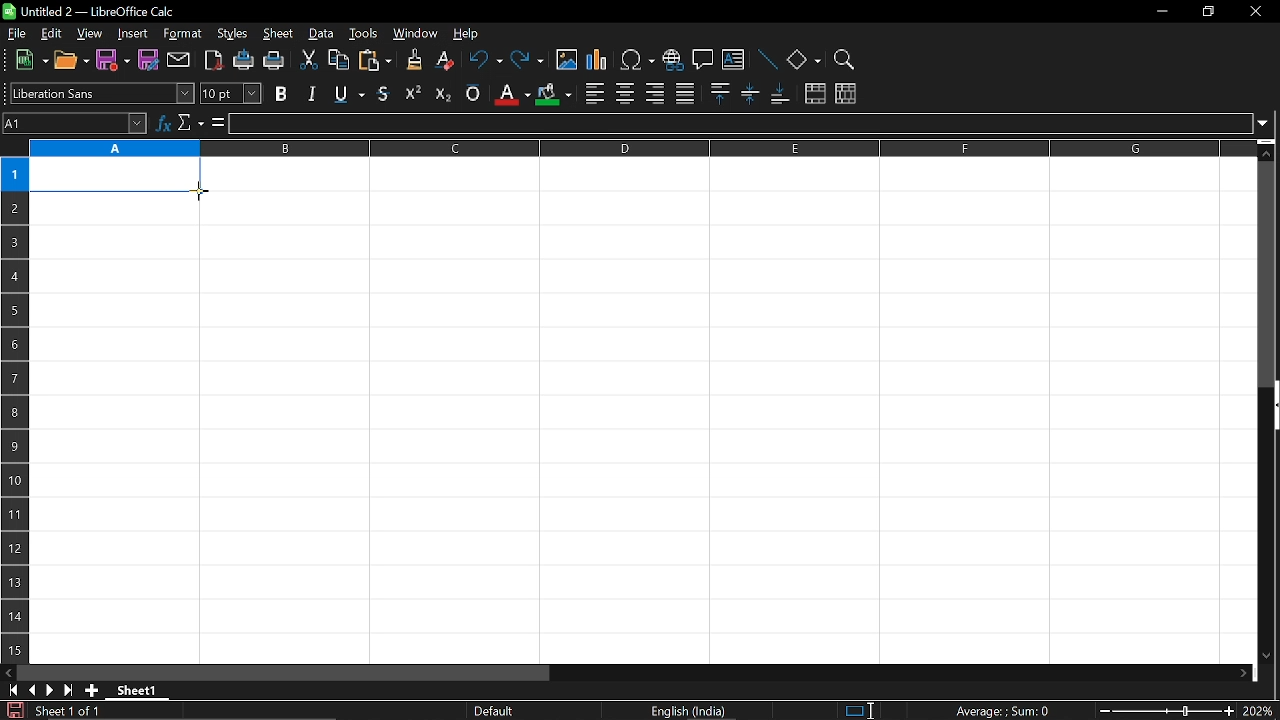  Describe the element at coordinates (672, 58) in the screenshot. I see `insert hyperlink` at that location.